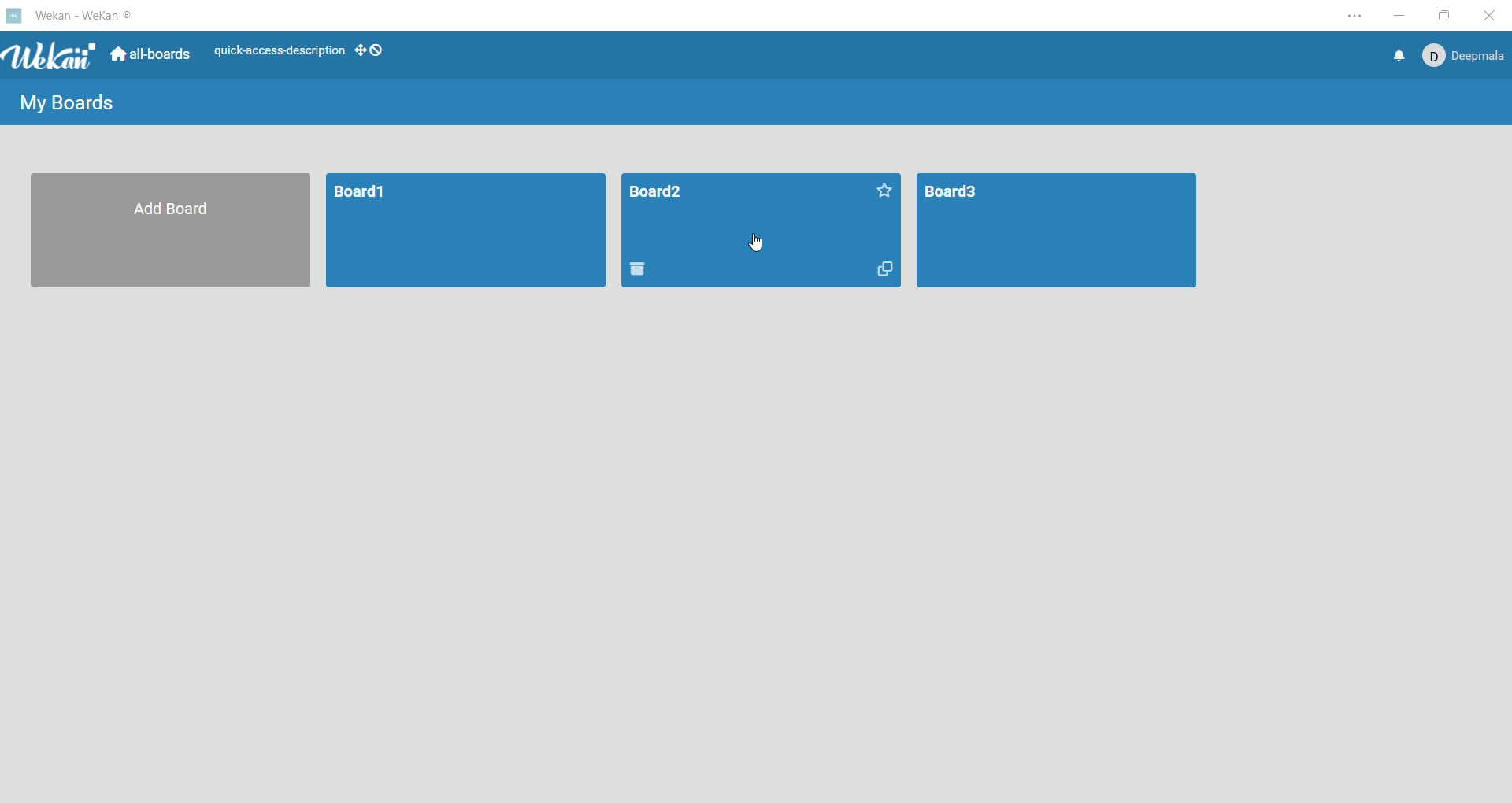 Image resolution: width=1512 pixels, height=803 pixels. I want to click on BOARD3, so click(952, 191).